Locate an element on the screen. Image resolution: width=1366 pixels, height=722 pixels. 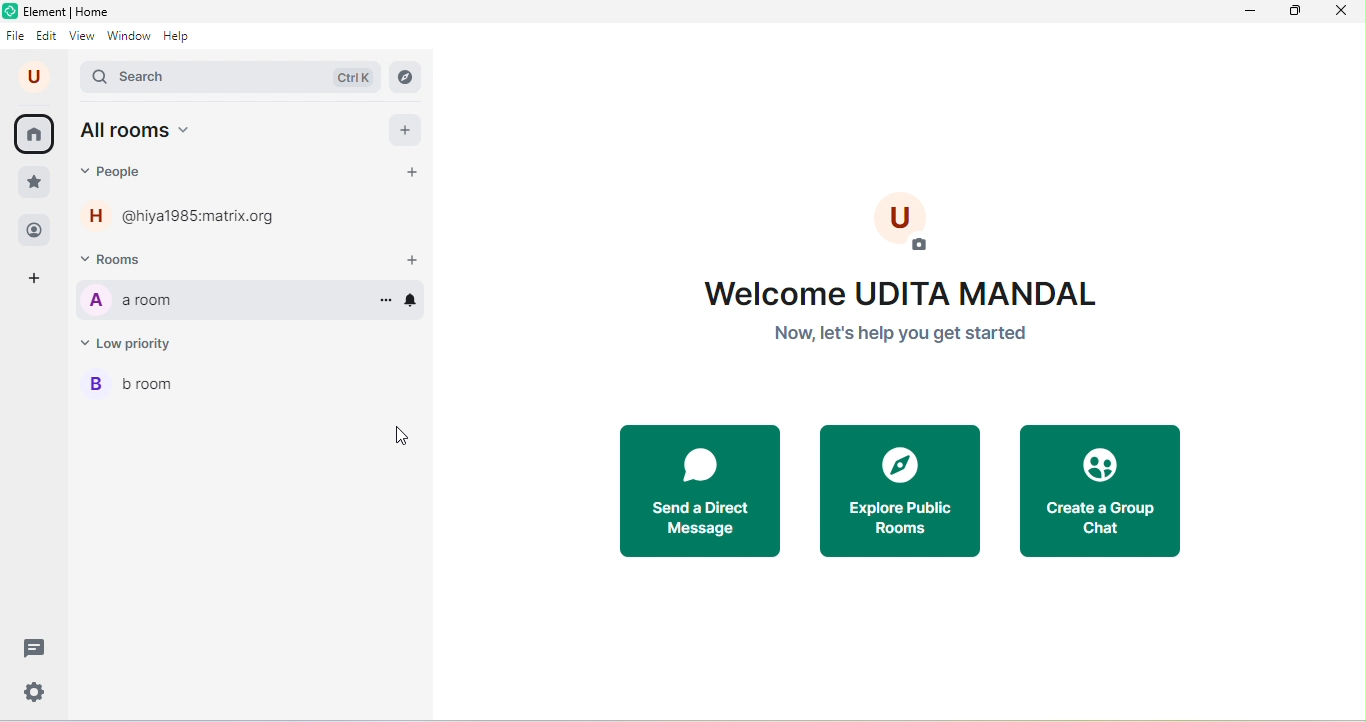
favorite is located at coordinates (37, 186).